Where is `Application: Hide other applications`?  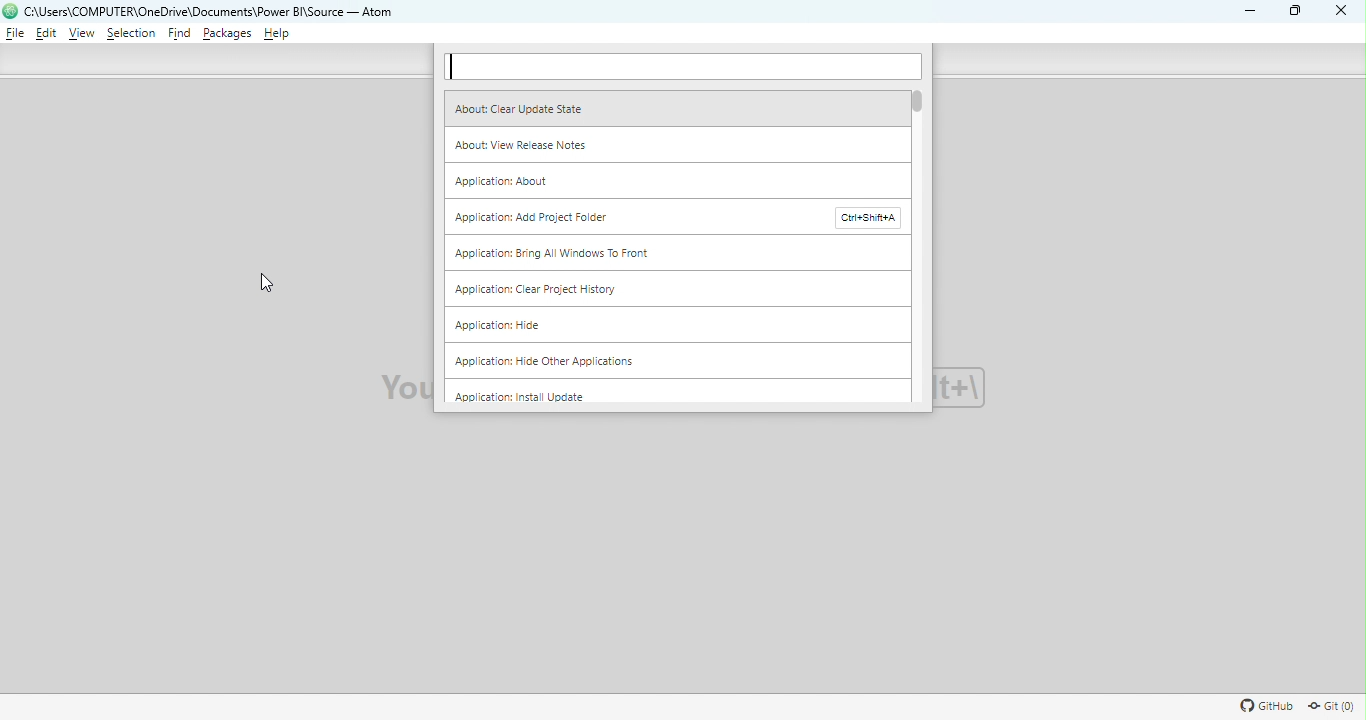 Application: Hide other applications is located at coordinates (662, 362).